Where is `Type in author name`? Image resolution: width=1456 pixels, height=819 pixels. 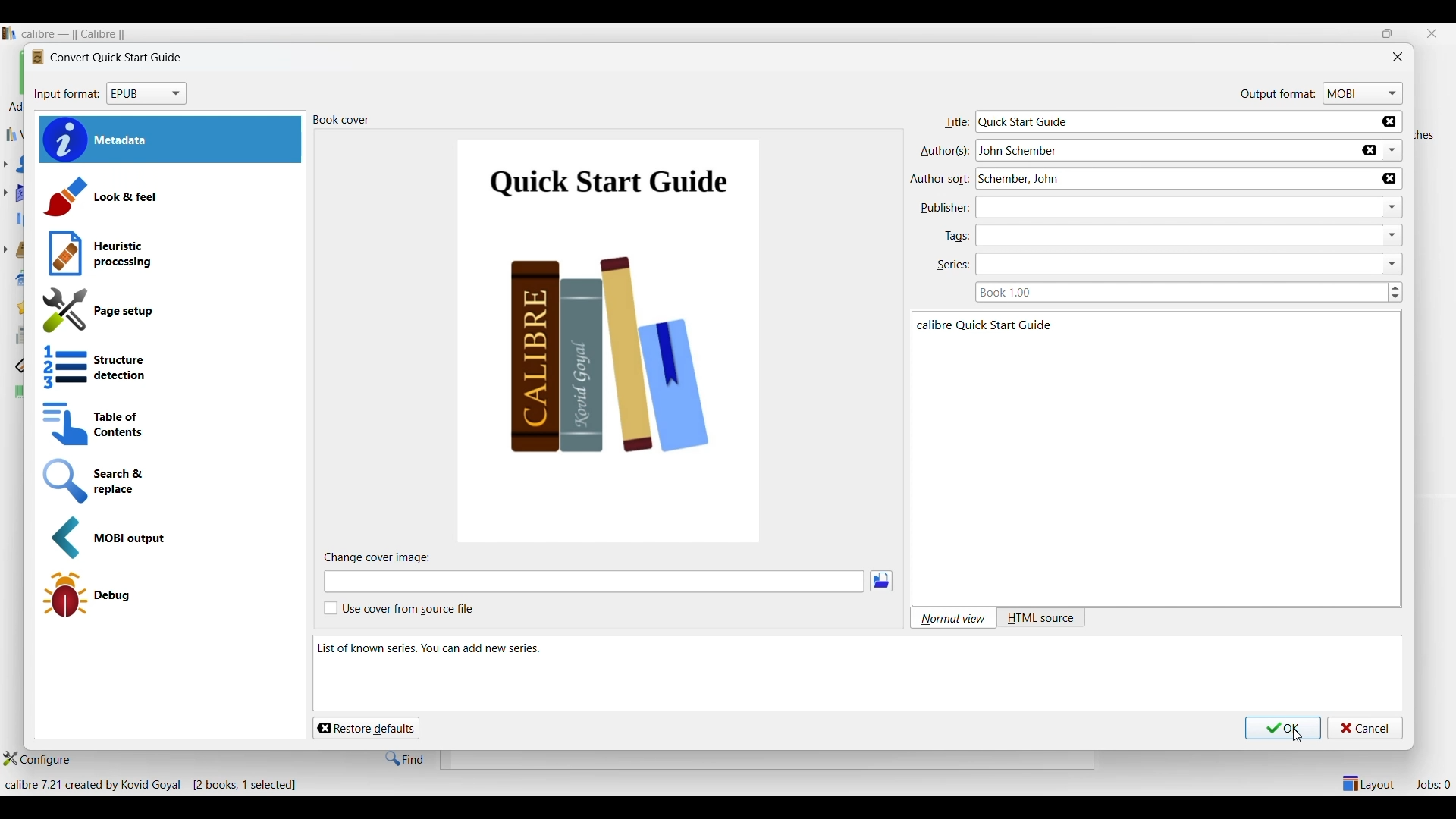
Type in author name is located at coordinates (1171, 179).